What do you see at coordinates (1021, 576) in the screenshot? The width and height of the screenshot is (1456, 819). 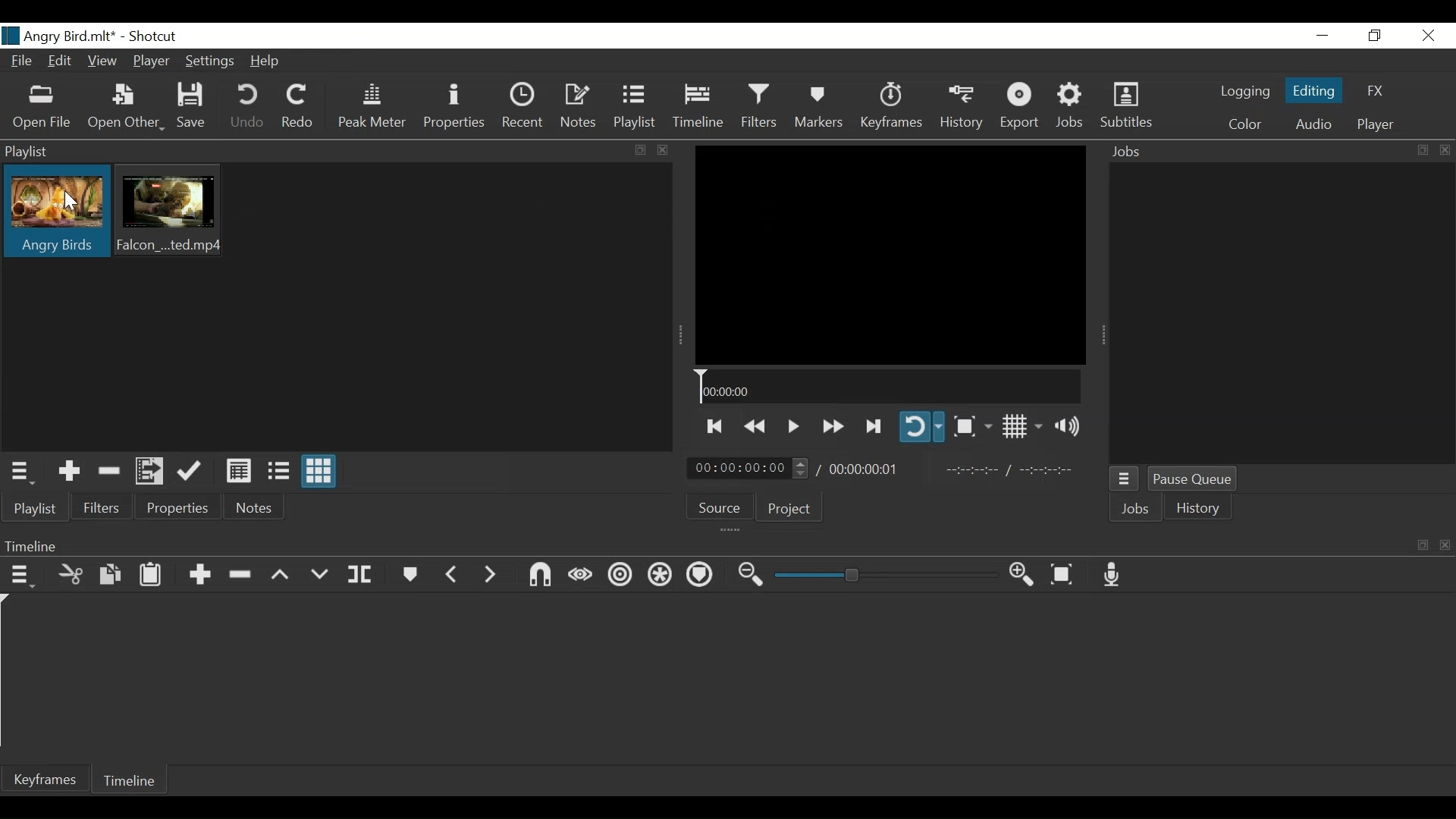 I see `Zoom timeline in` at bounding box center [1021, 576].